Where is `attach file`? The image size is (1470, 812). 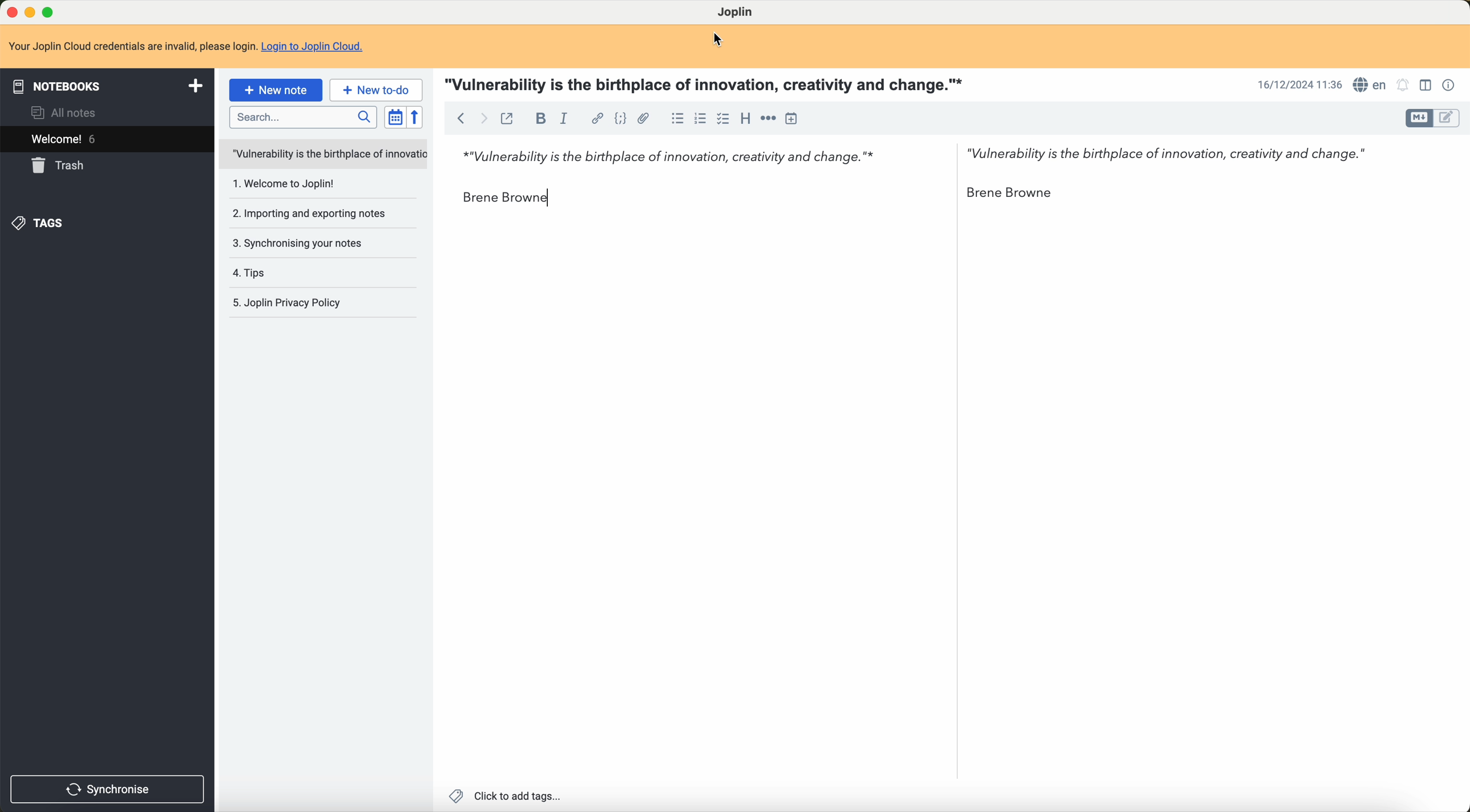
attach file is located at coordinates (644, 118).